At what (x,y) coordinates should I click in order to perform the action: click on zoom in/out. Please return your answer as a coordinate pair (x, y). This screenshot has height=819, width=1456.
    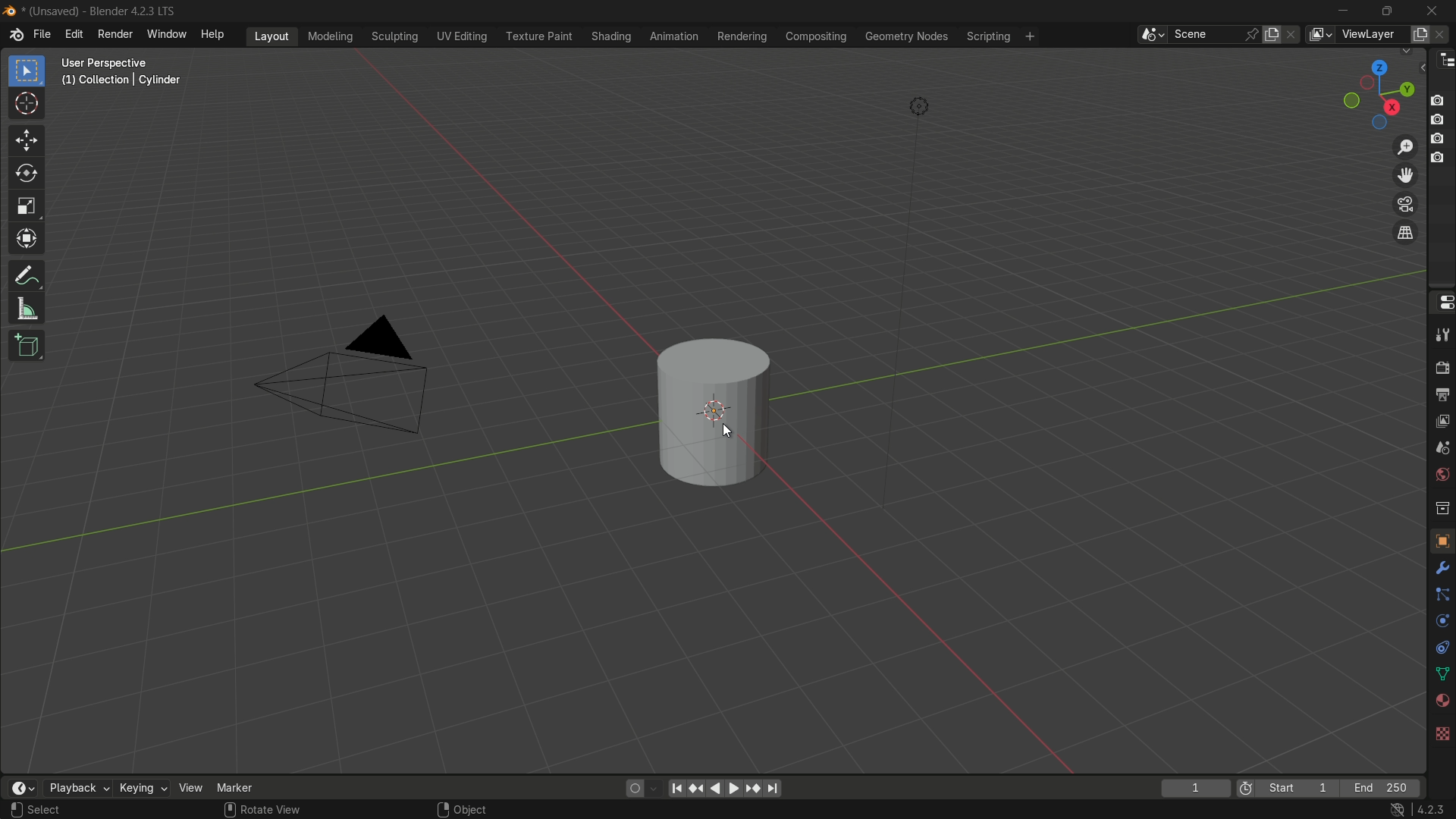
    Looking at the image, I should click on (1405, 146).